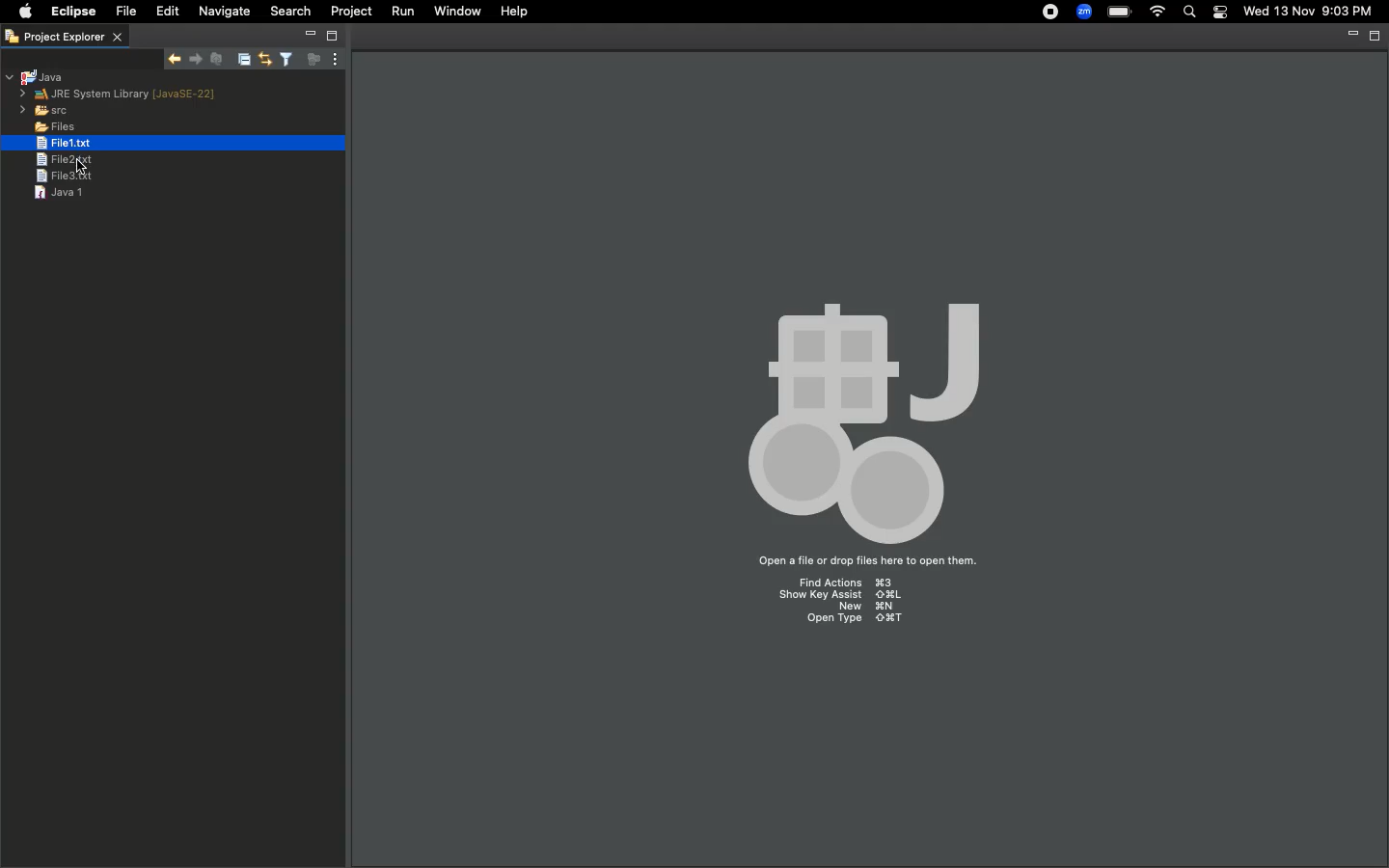 The height and width of the screenshot is (868, 1389). What do you see at coordinates (70, 12) in the screenshot?
I see `Eclipse` at bounding box center [70, 12].